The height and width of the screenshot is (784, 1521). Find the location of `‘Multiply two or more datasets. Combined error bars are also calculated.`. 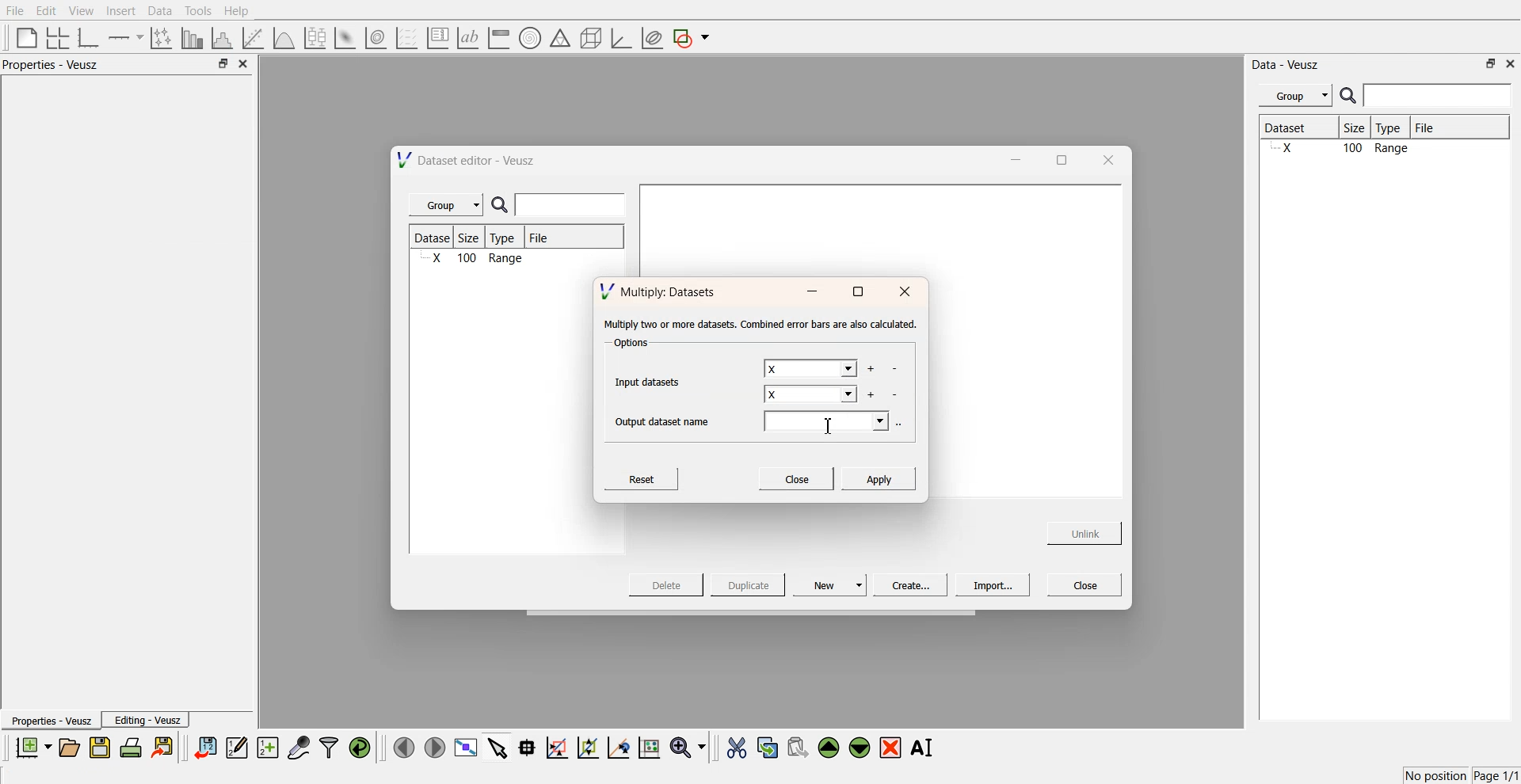

‘Multiply two or more datasets. Combined error bars are also calculated. is located at coordinates (760, 325).